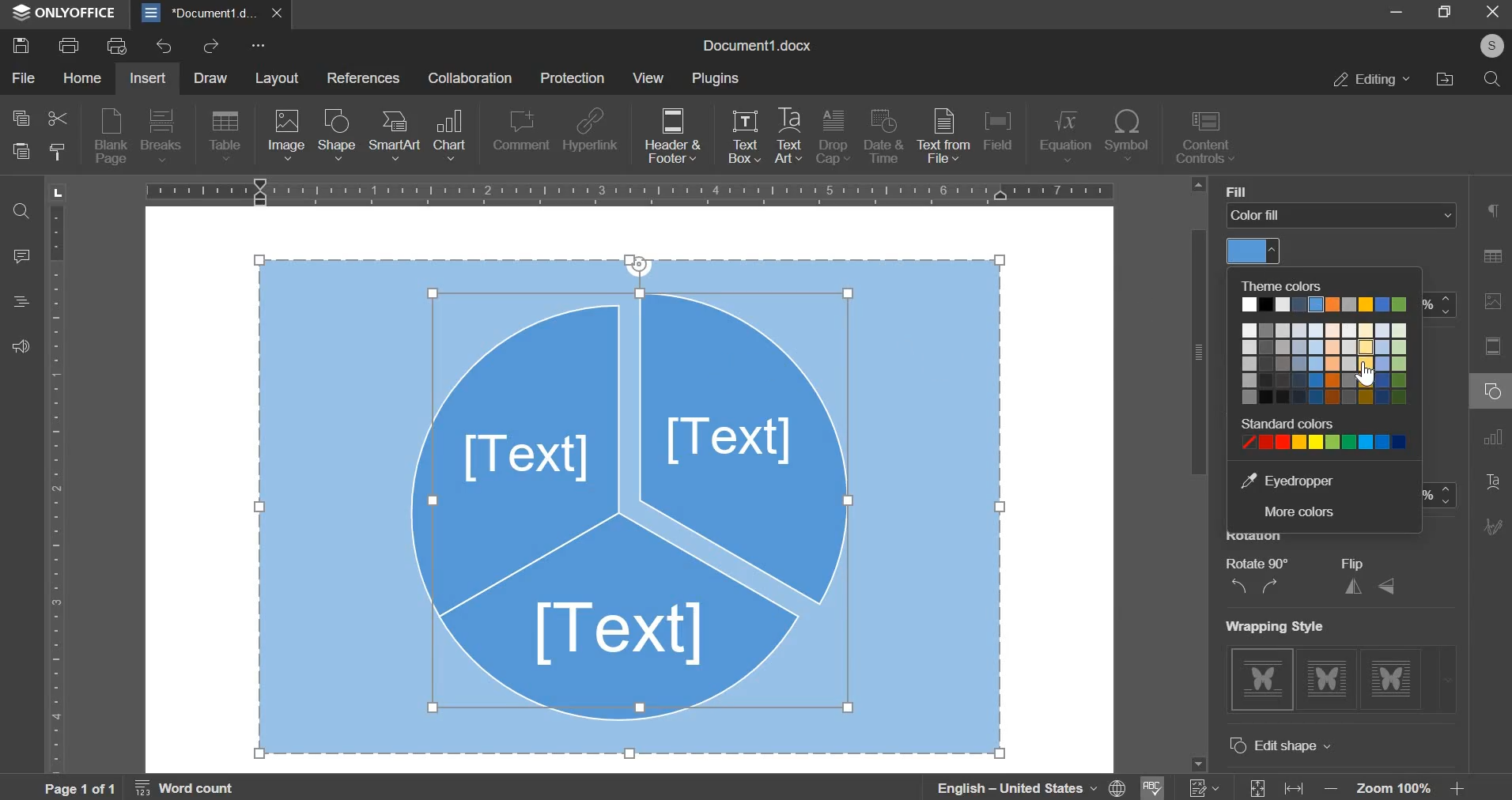 The height and width of the screenshot is (800, 1512). I want to click on header & footer, so click(673, 137).